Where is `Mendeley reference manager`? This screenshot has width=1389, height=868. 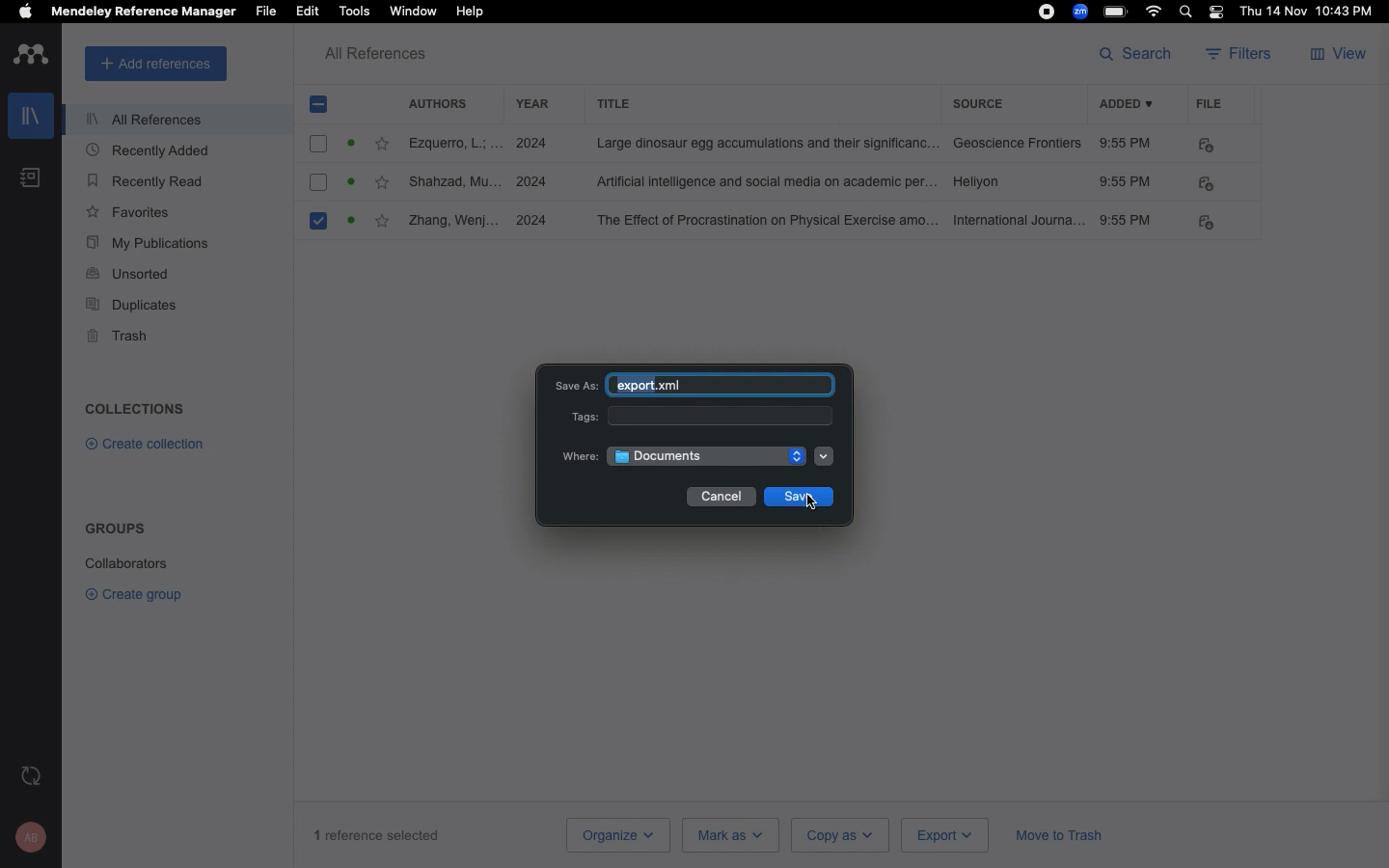
Mendeley reference manager is located at coordinates (141, 12).